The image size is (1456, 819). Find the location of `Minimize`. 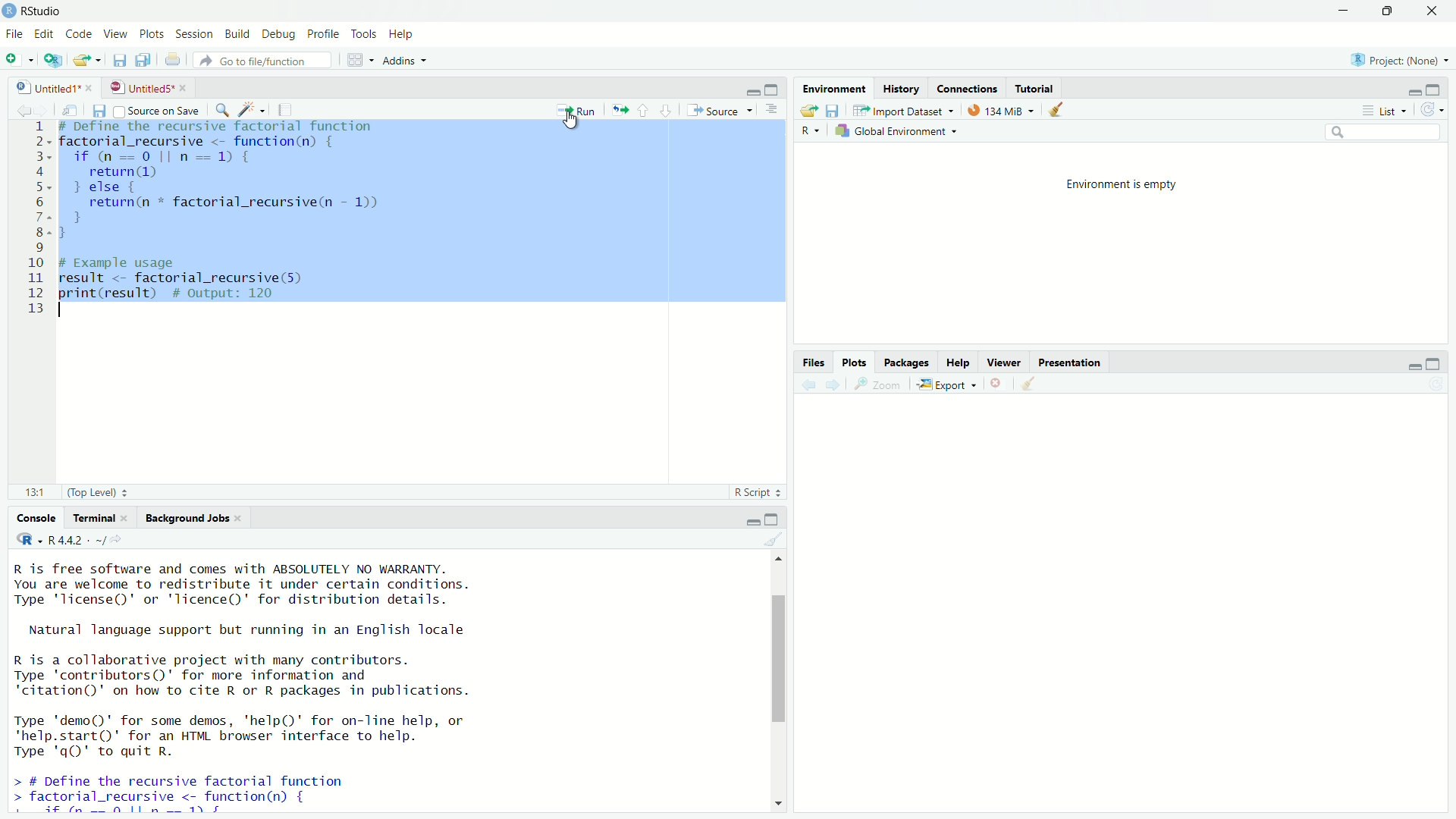

Minimize is located at coordinates (752, 522).